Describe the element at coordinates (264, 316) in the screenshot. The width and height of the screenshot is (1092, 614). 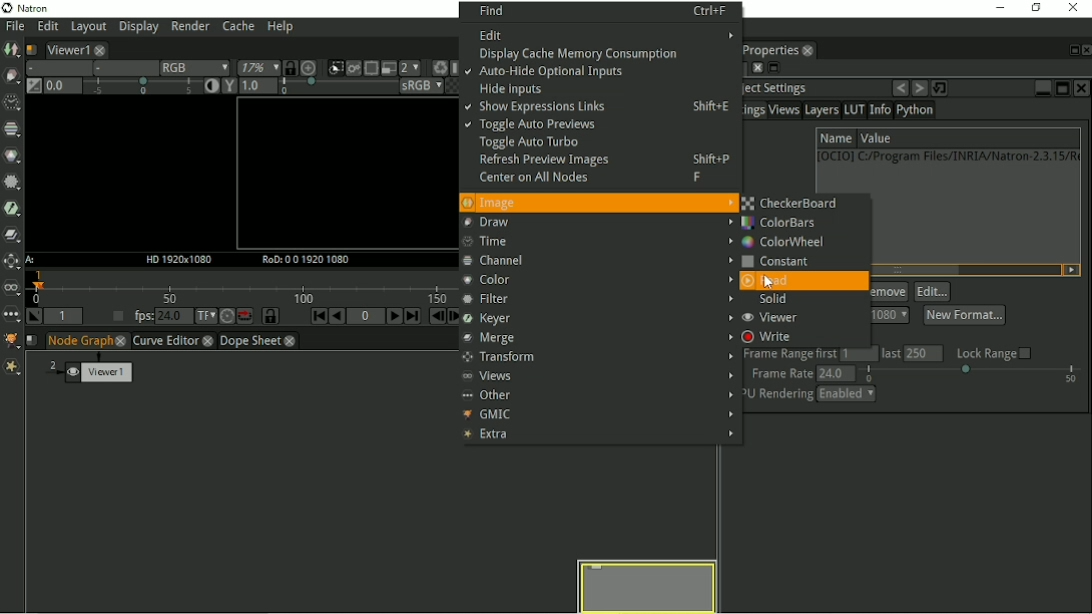
I see `Synchronize` at that location.